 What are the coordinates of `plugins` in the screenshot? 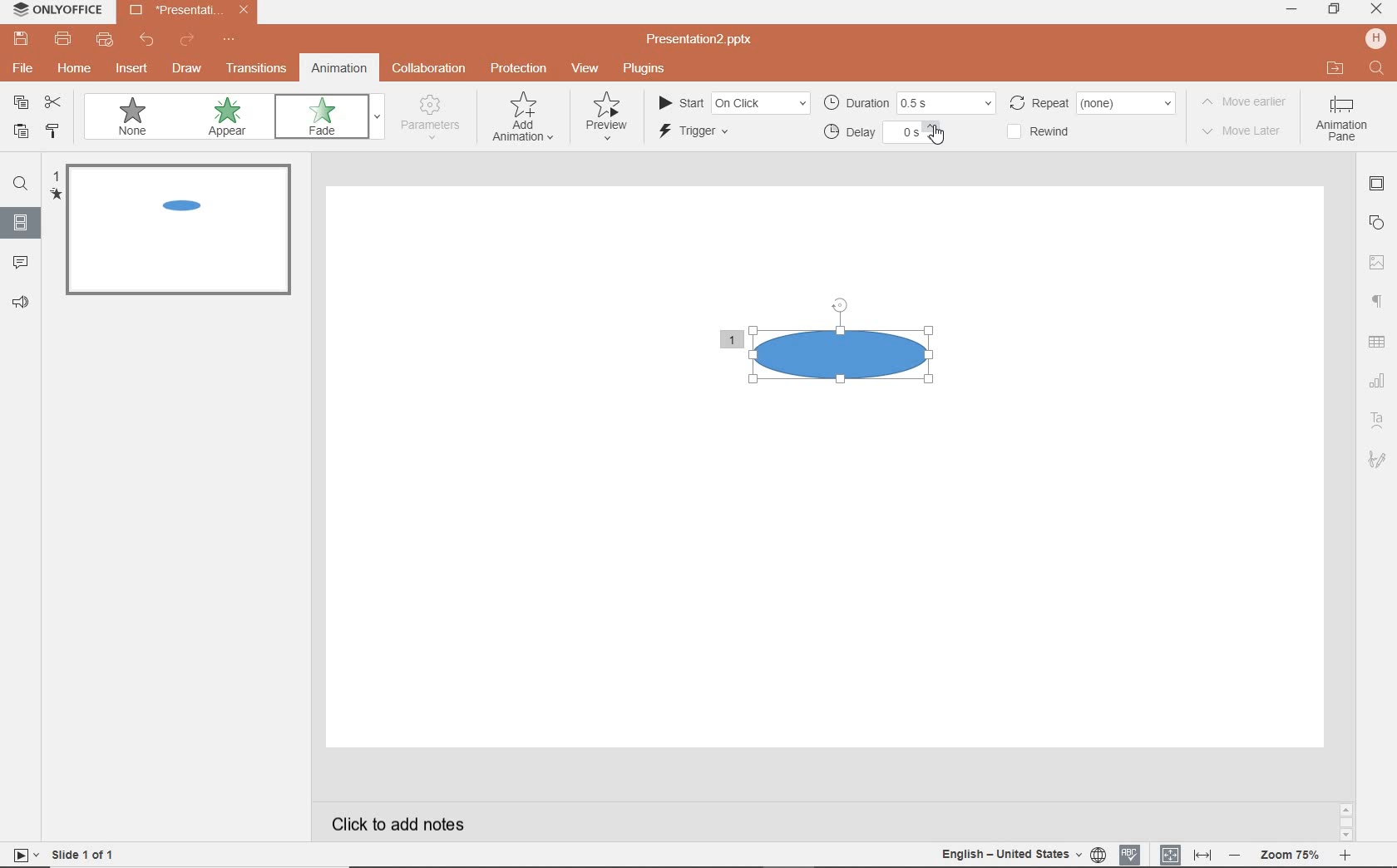 It's located at (644, 70).